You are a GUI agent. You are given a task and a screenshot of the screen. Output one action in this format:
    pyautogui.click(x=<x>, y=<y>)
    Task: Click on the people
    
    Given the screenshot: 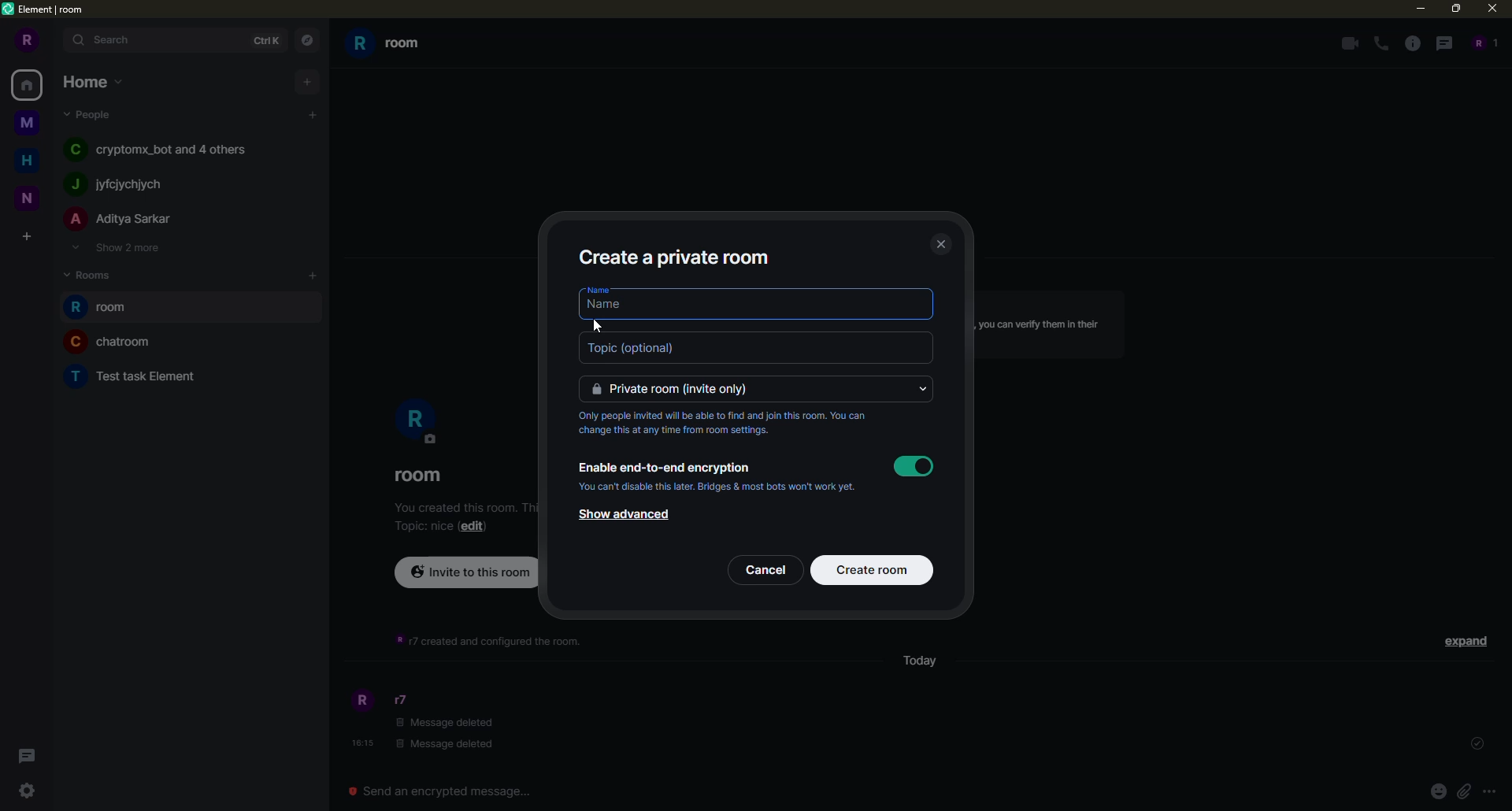 What is the action you would take?
    pyautogui.click(x=120, y=218)
    